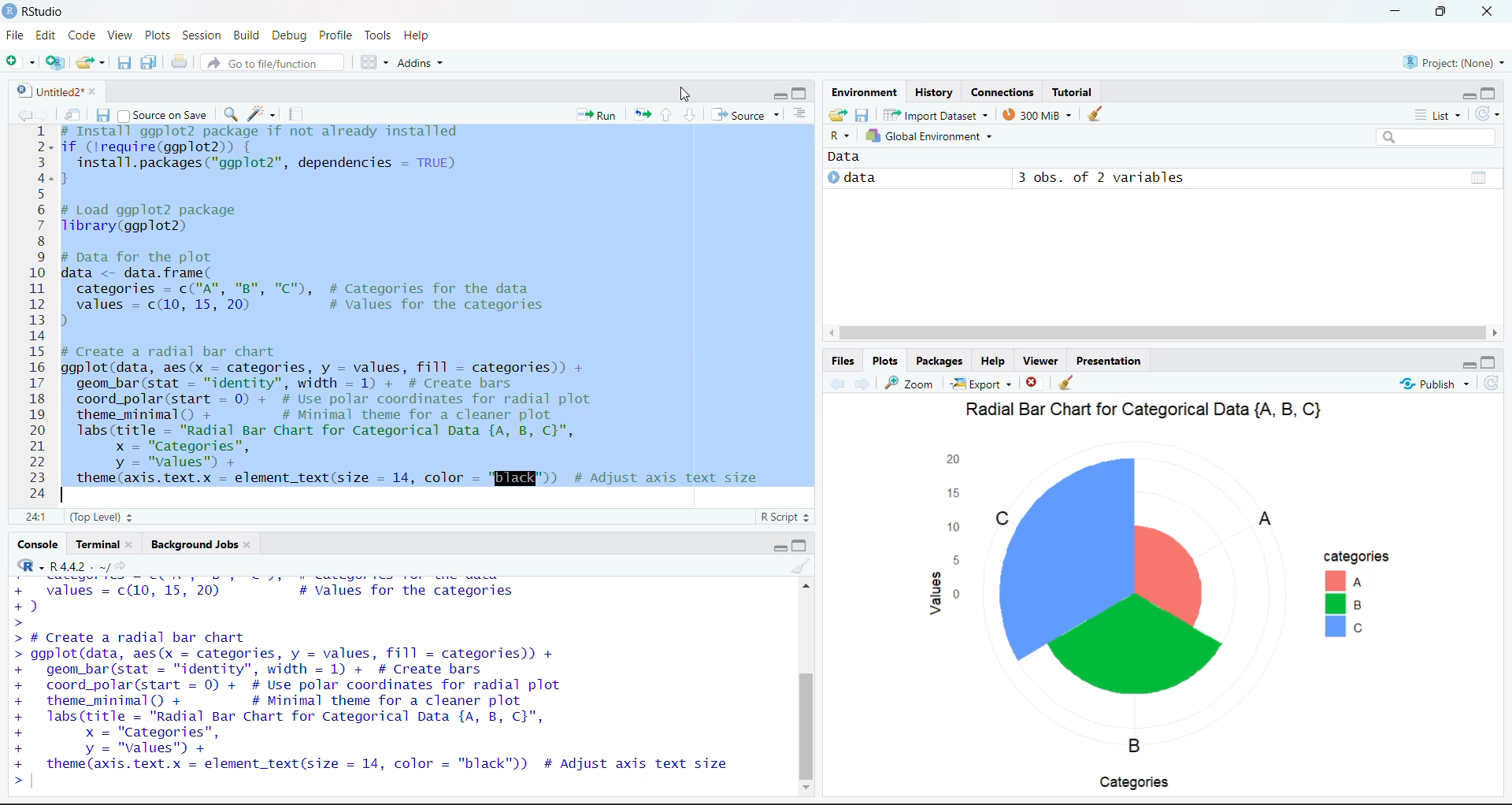 Image resolution: width=1512 pixels, height=805 pixels. What do you see at coordinates (938, 113) in the screenshot?
I see ` import Dataset ` at bounding box center [938, 113].